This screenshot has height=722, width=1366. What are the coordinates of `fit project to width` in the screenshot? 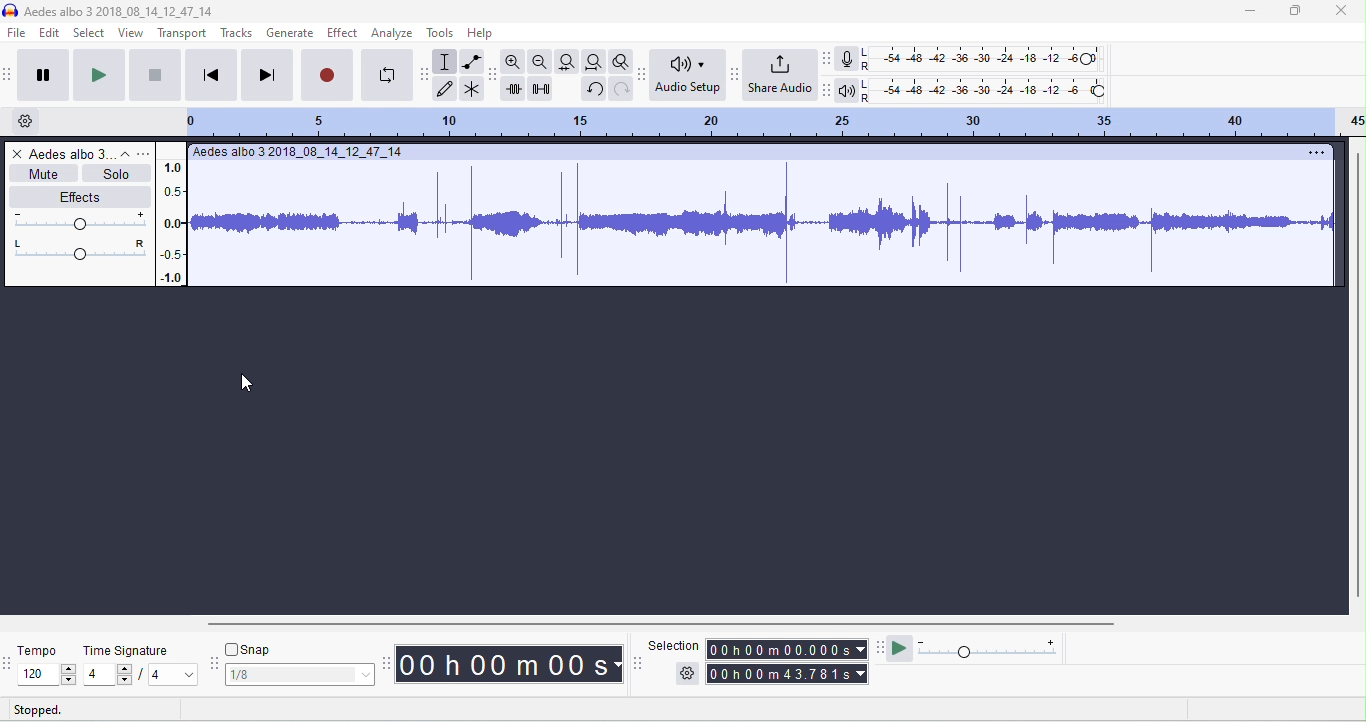 It's located at (593, 61).